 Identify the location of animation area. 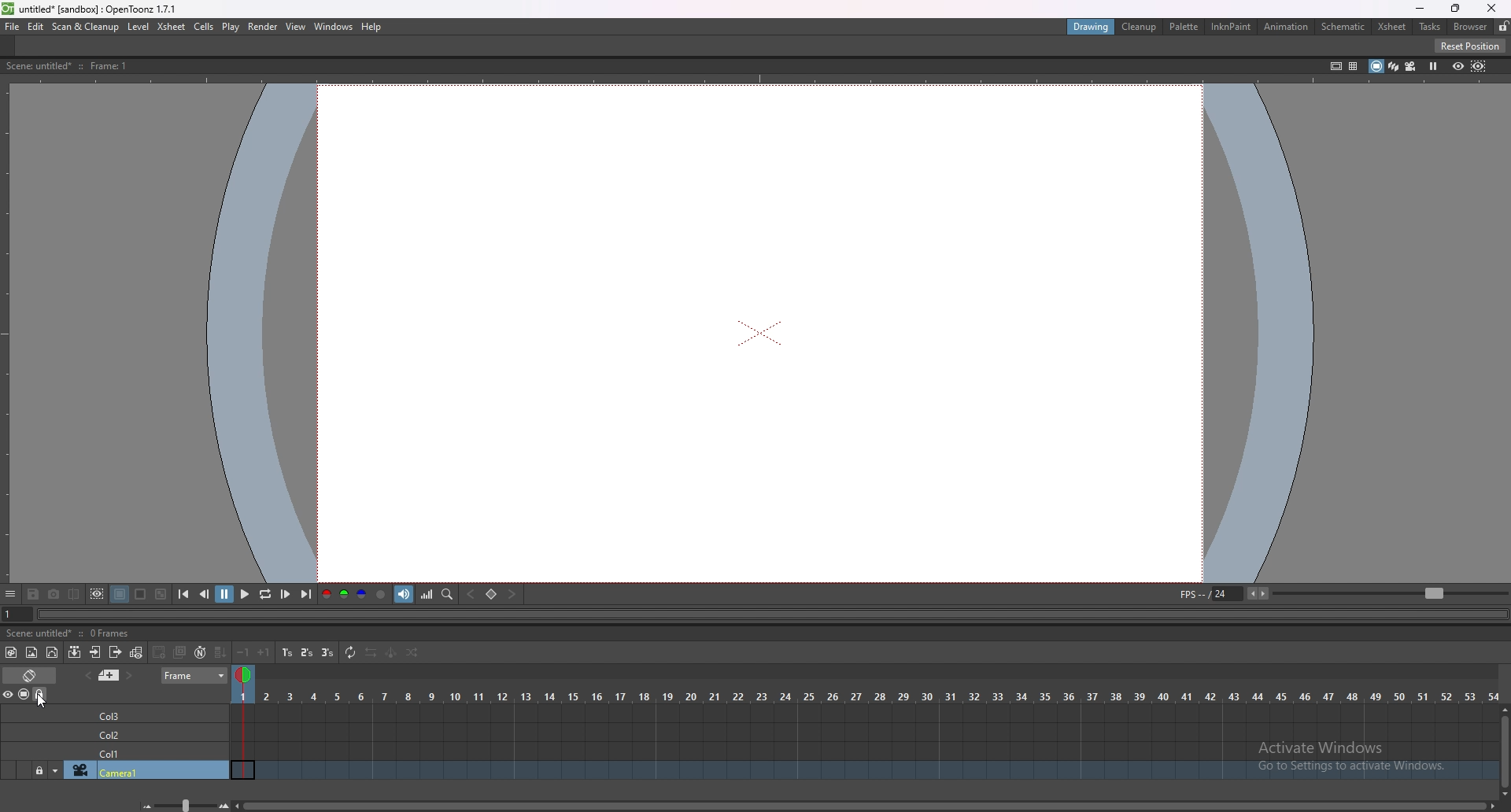
(762, 332).